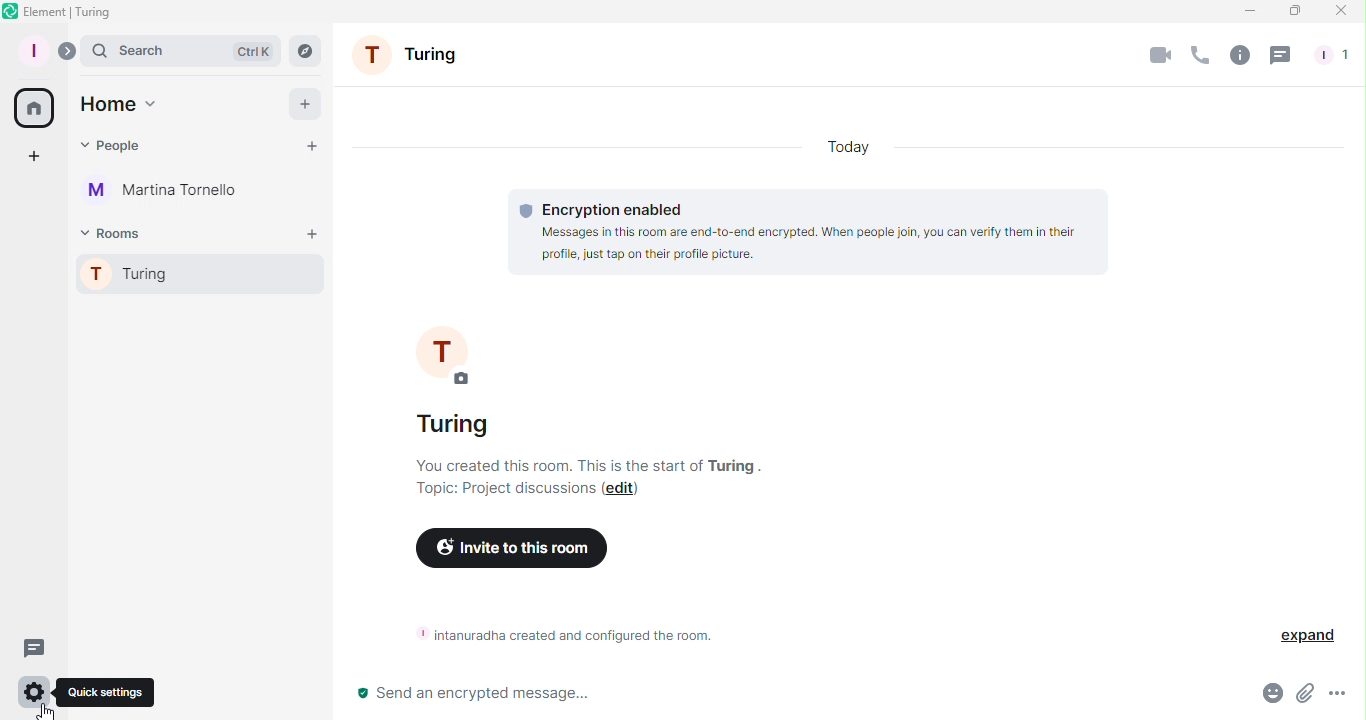 This screenshot has width=1366, height=720. What do you see at coordinates (505, 494) in the screenshot?
I see `Topic` at bounding box center [505, 494].